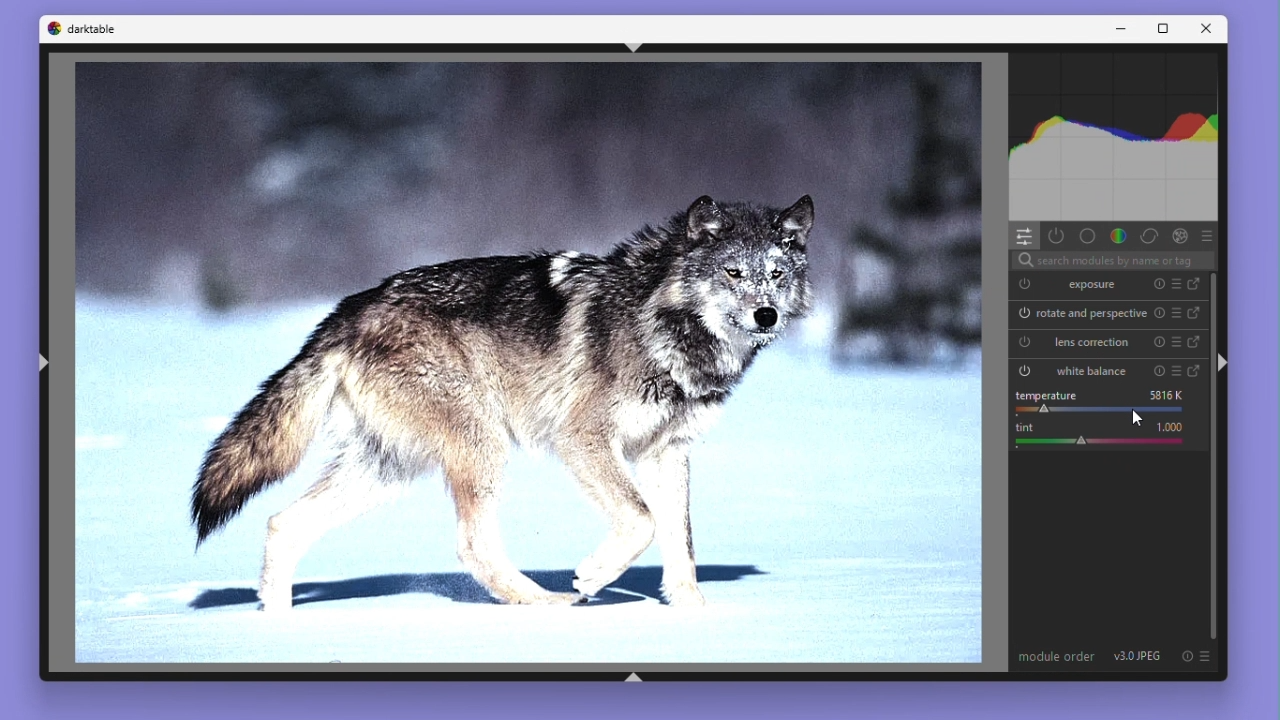  What do you see at coordinates (635, 46) in the screenshot?
I see `Ctrl + shift + t` at bounding box center [635, 46].